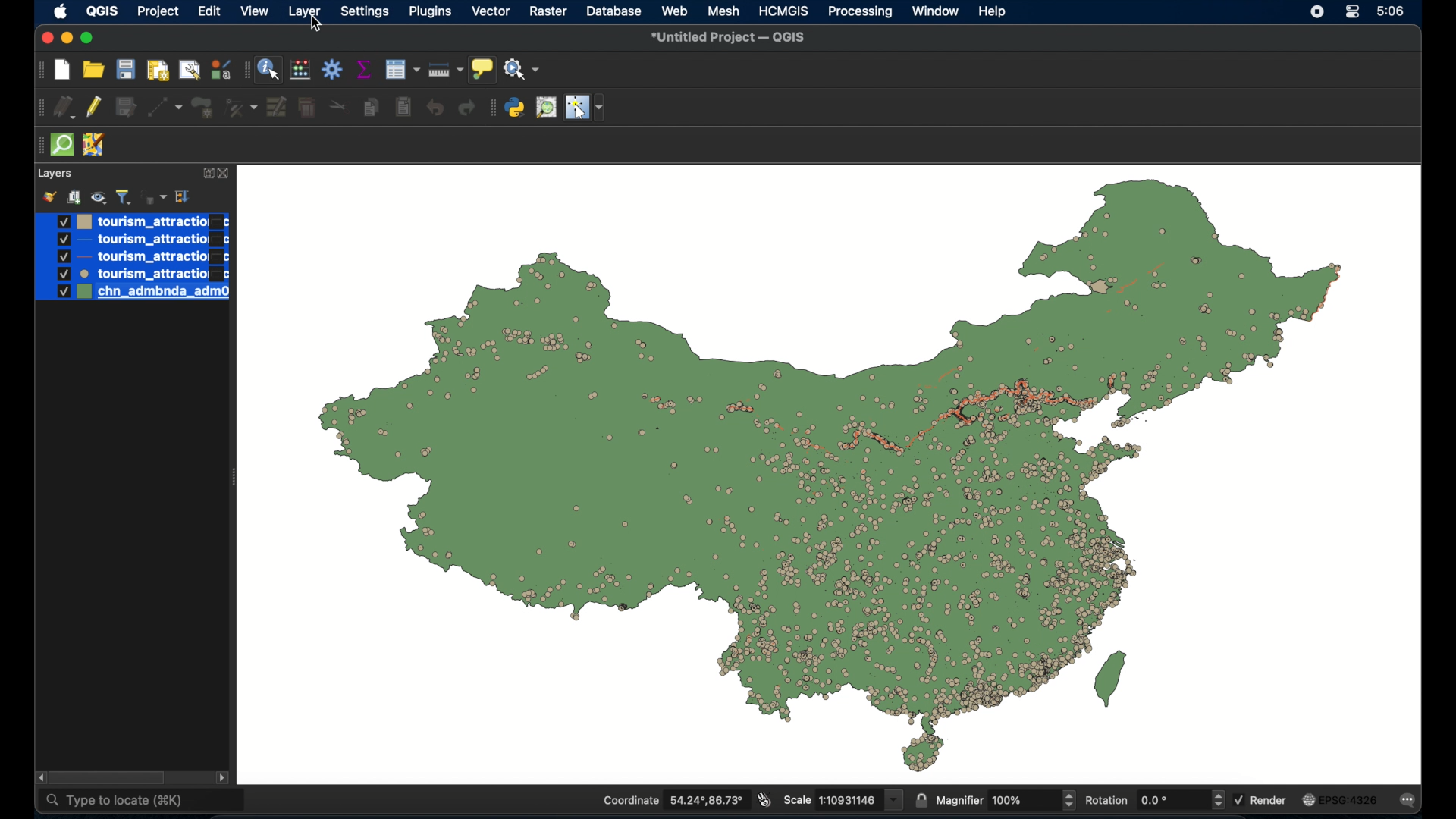 The height and width of the screenshot is (819, 1456). I want to click on measure line, so click(446, 68).